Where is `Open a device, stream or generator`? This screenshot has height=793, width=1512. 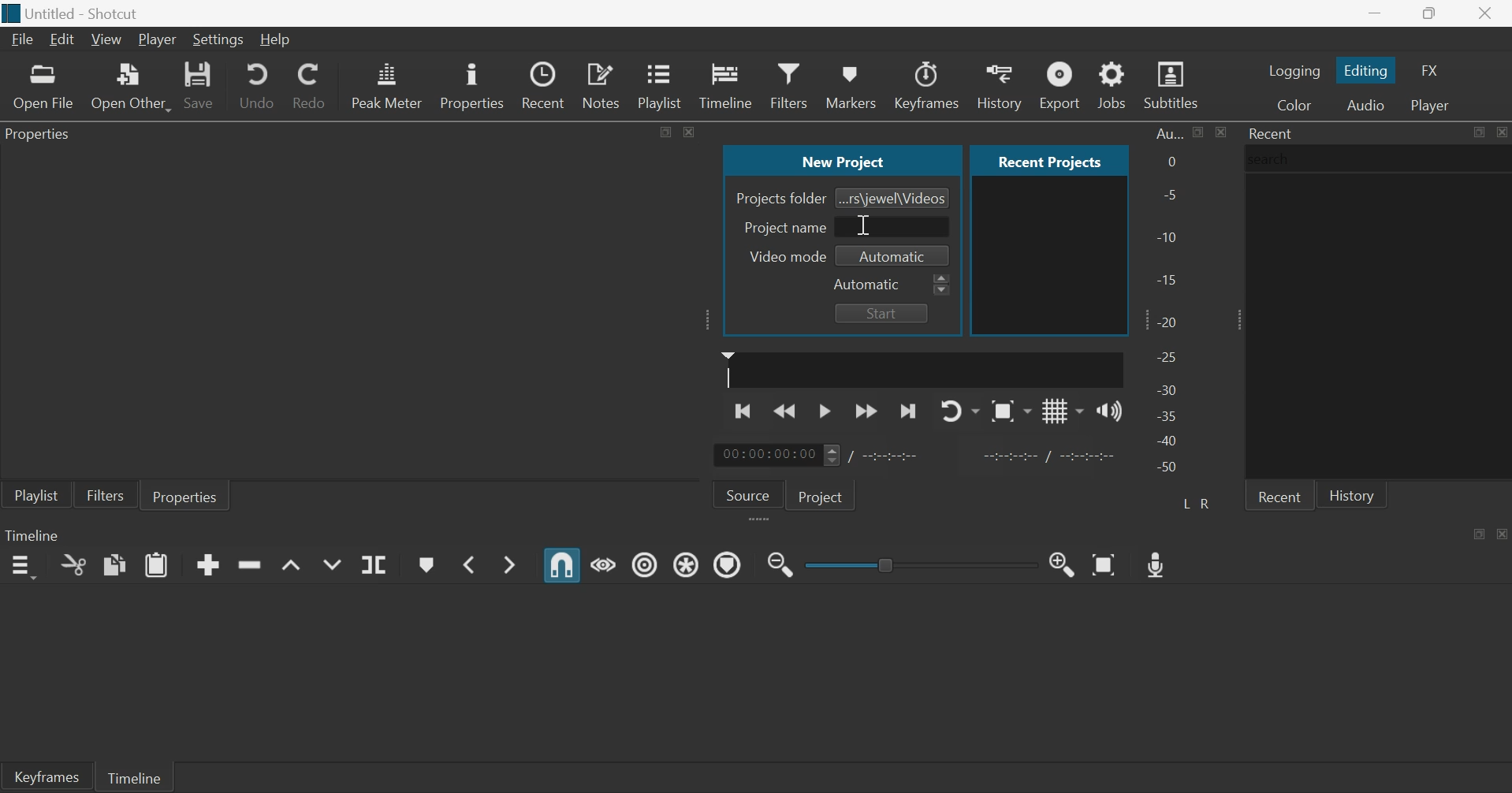
Open a device, stream or generator is located at coordinates (131, 86).